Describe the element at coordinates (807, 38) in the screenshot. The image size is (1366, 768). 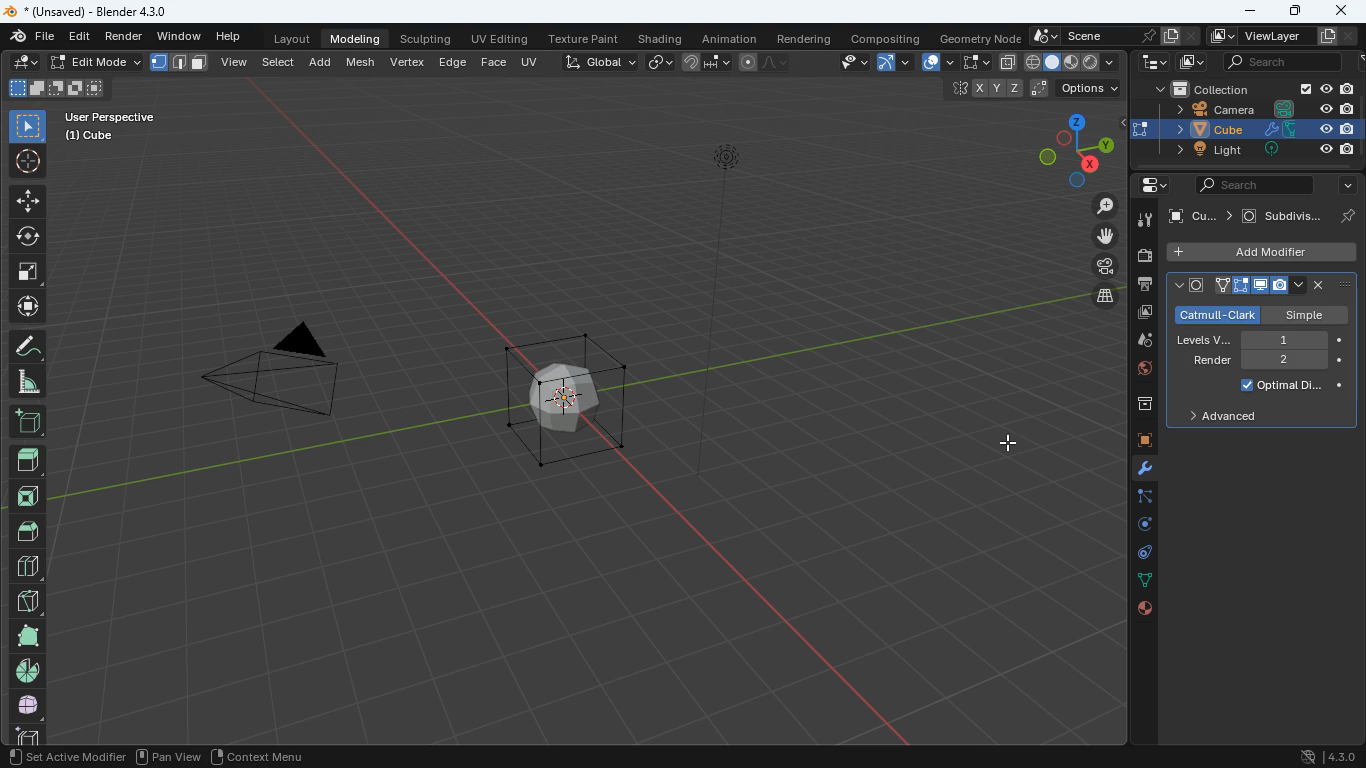
I see `rendering` at that location.